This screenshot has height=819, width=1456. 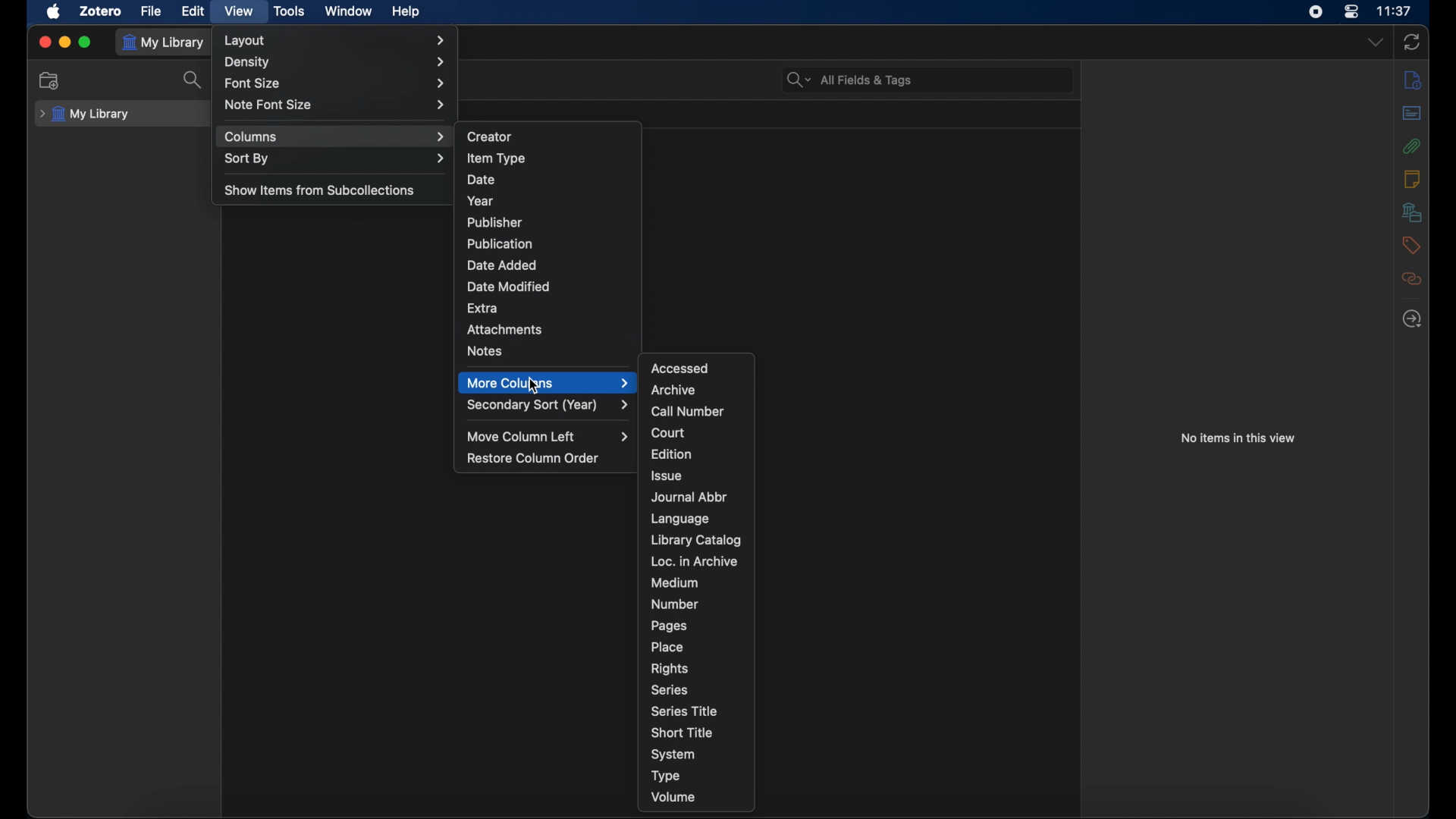 I want to click on restore column order, so click(x=533, y=458).